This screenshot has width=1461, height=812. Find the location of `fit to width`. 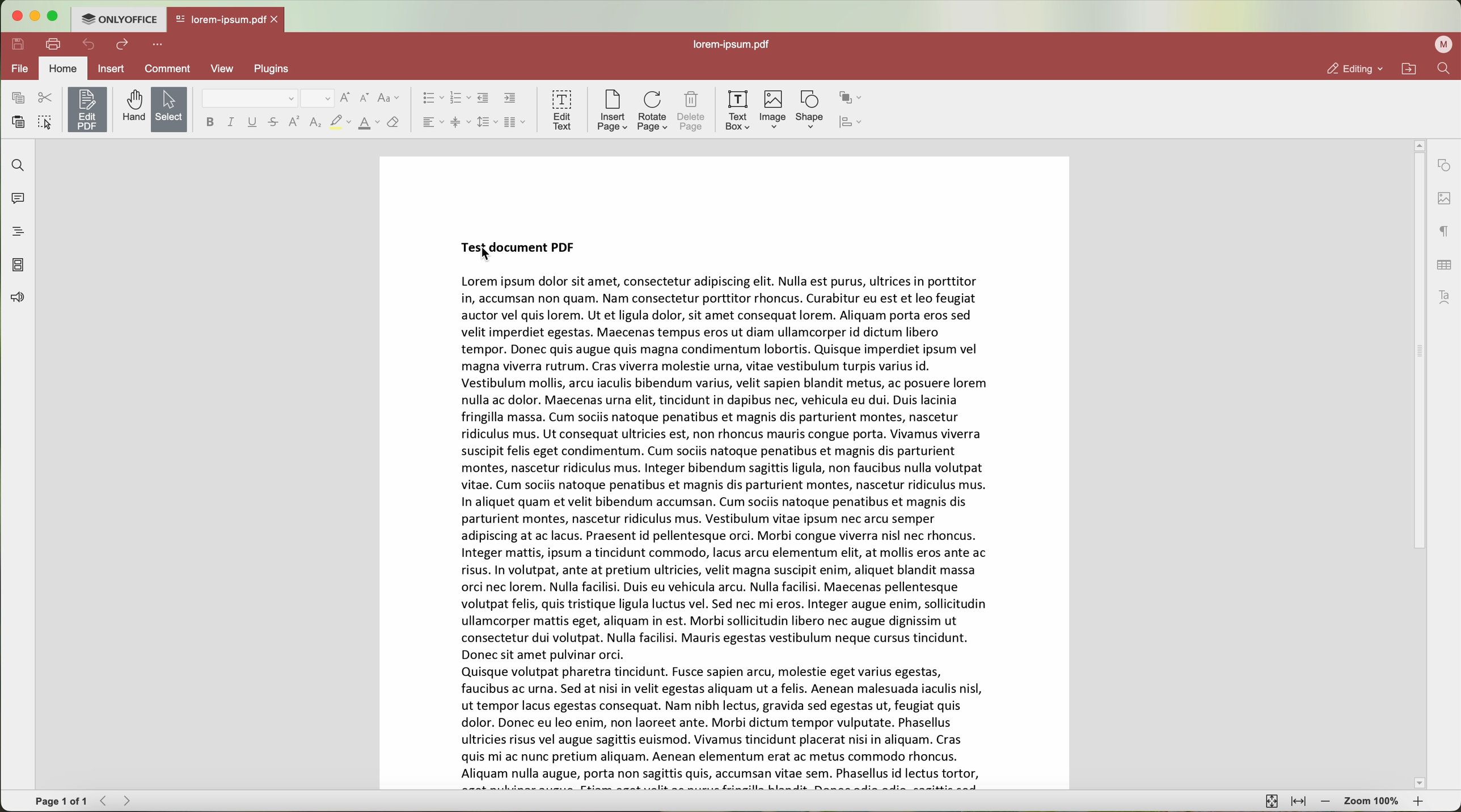

fit to width is located at coordinates (1298, 801).